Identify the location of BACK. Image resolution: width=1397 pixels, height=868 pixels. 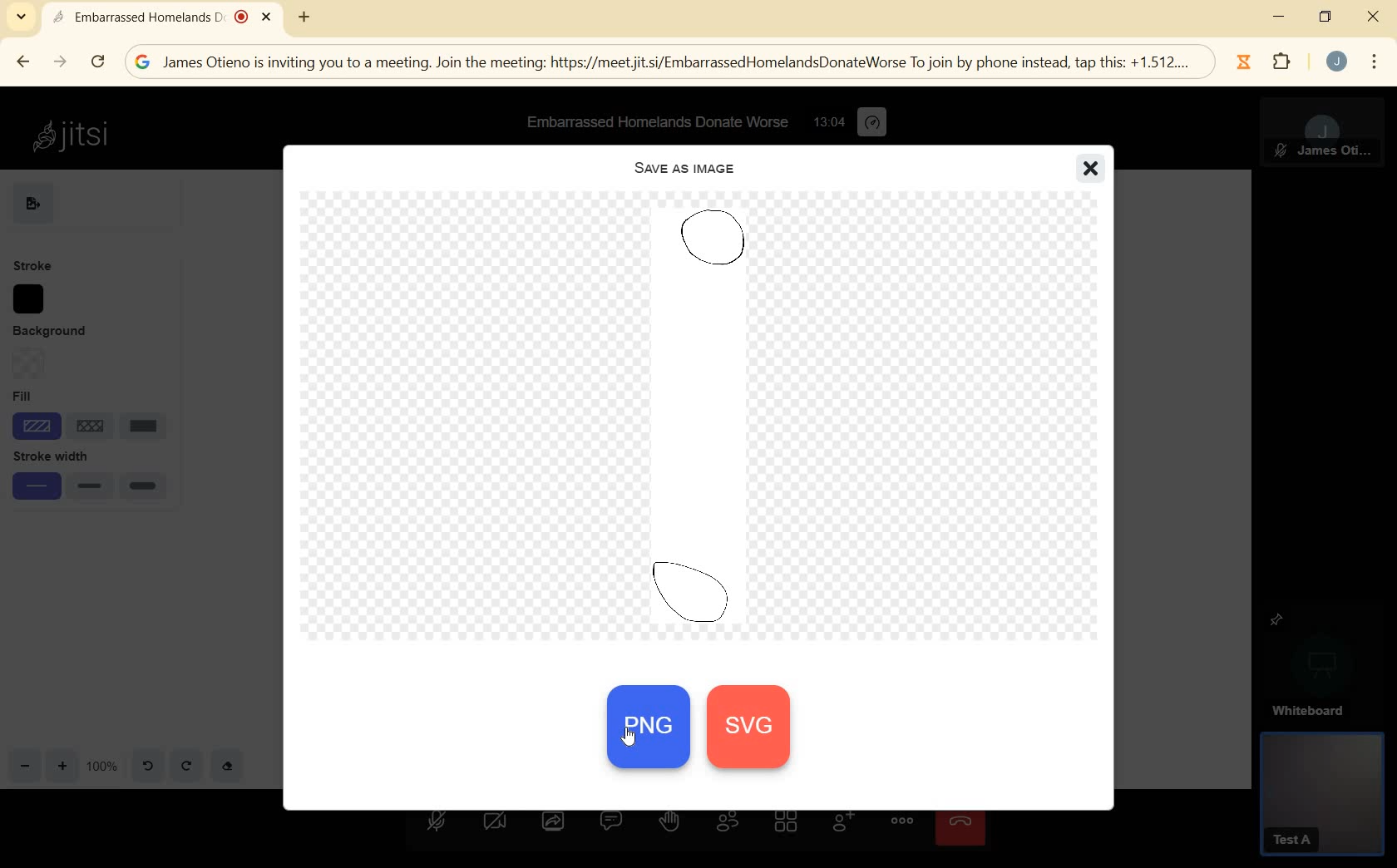
(25, 60).